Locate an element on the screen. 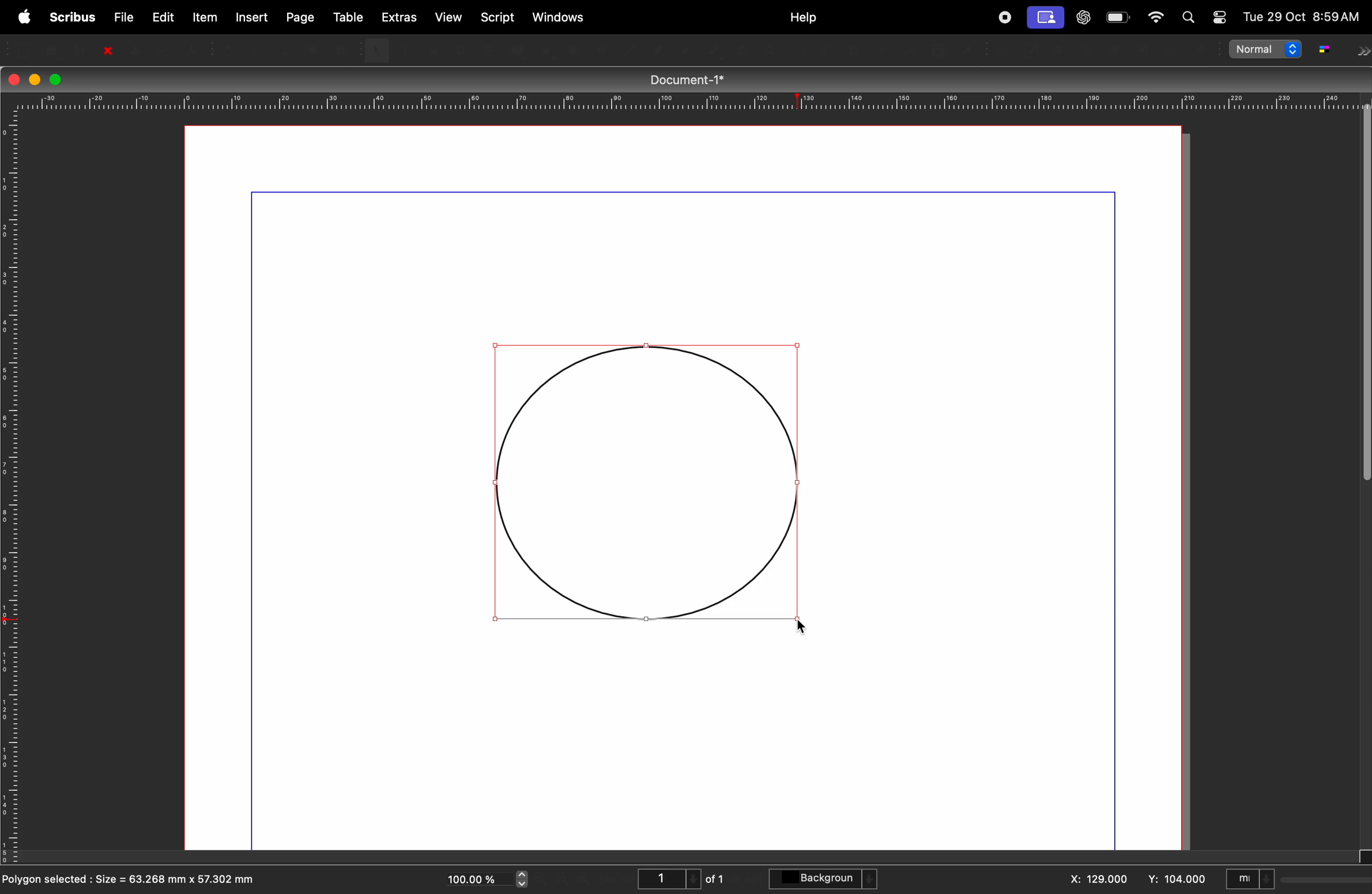 The height and width of the screenshot is (894, 1372). PDF checkbox is located at coordinates (1033, 50).